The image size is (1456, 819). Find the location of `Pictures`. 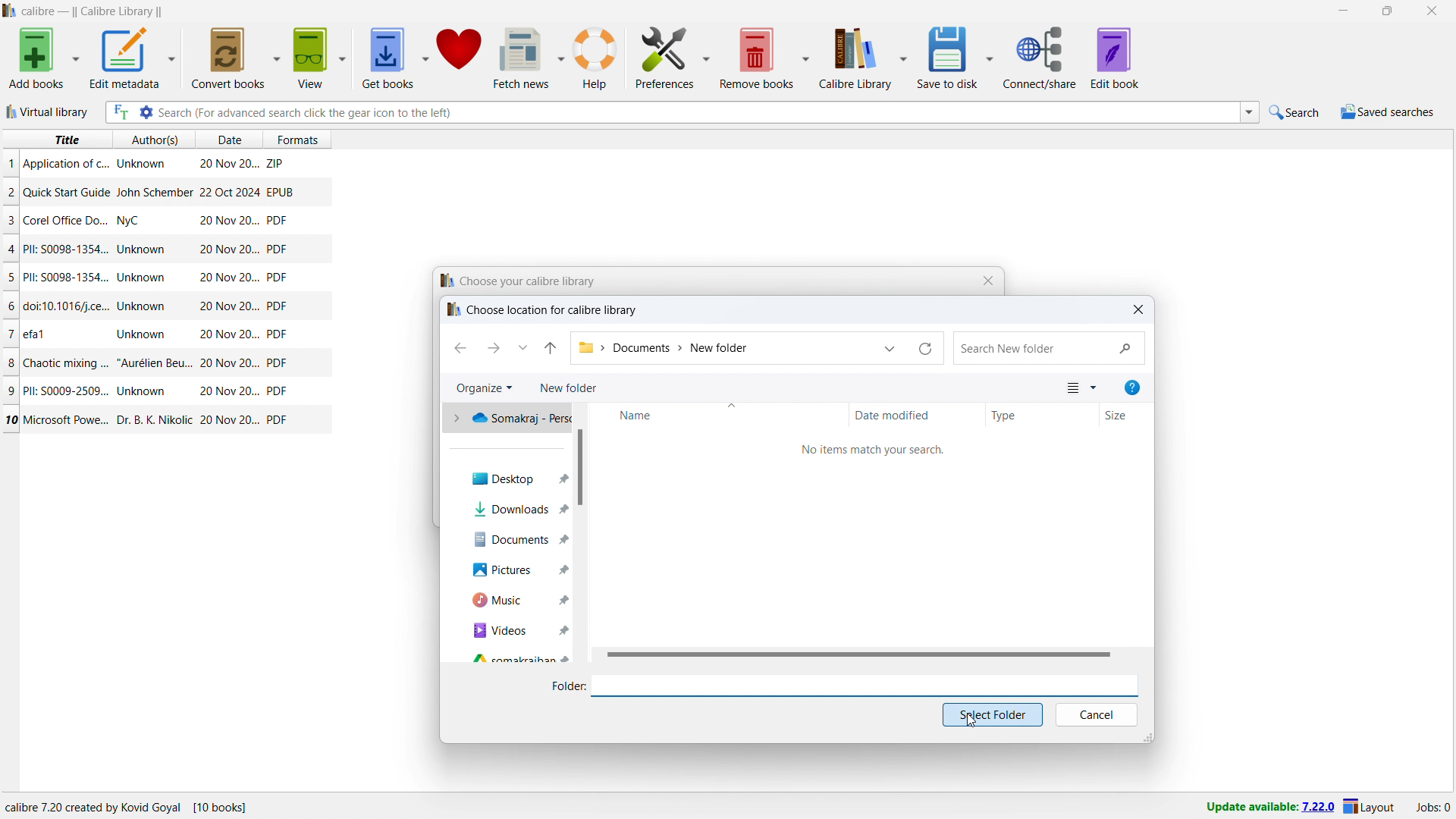

Pictures is located at coordinates (507, 570).